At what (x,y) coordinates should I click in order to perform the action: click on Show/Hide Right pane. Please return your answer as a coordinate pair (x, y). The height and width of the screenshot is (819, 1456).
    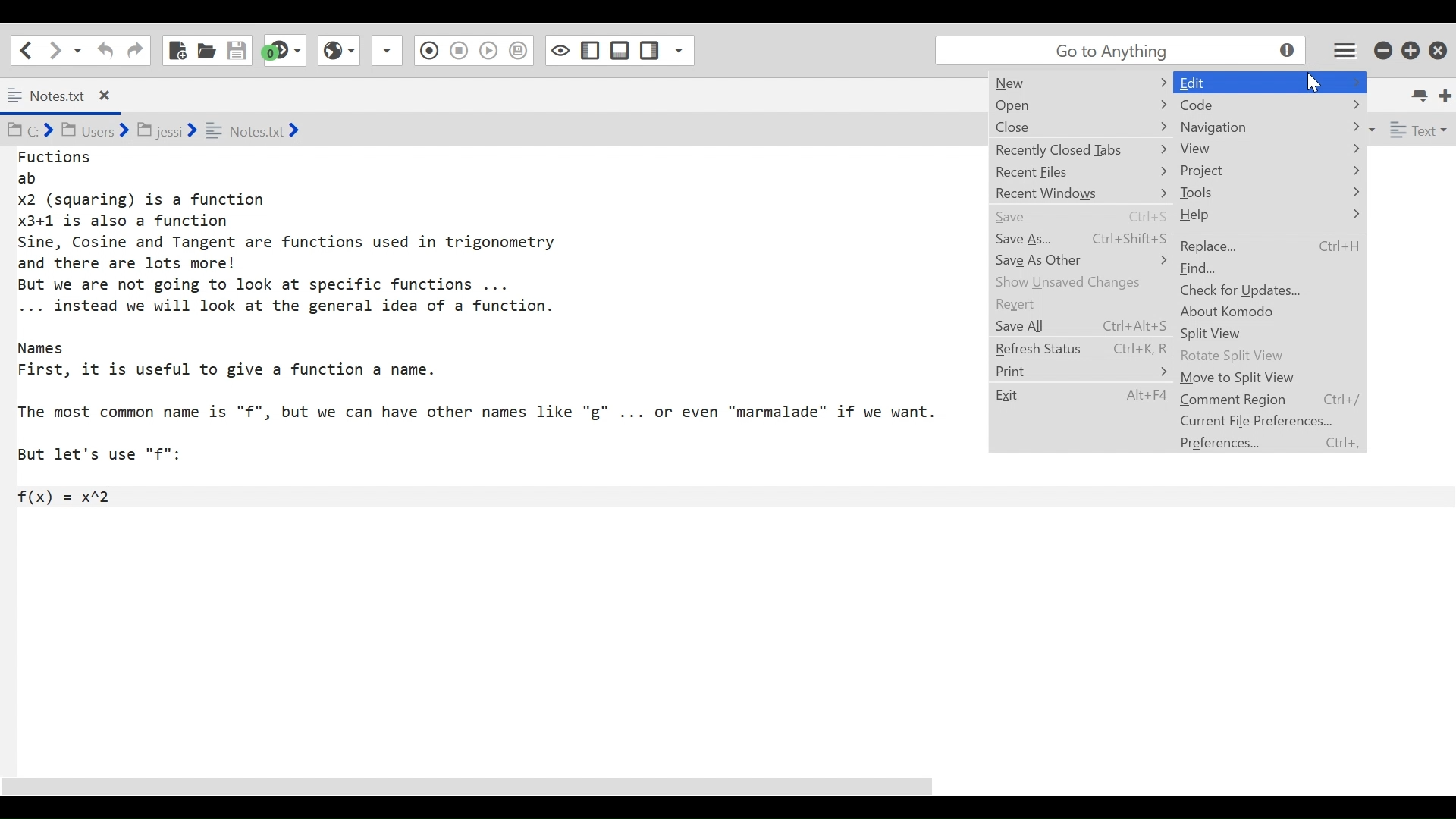
    Looking at the image, I should click on (559, 49).